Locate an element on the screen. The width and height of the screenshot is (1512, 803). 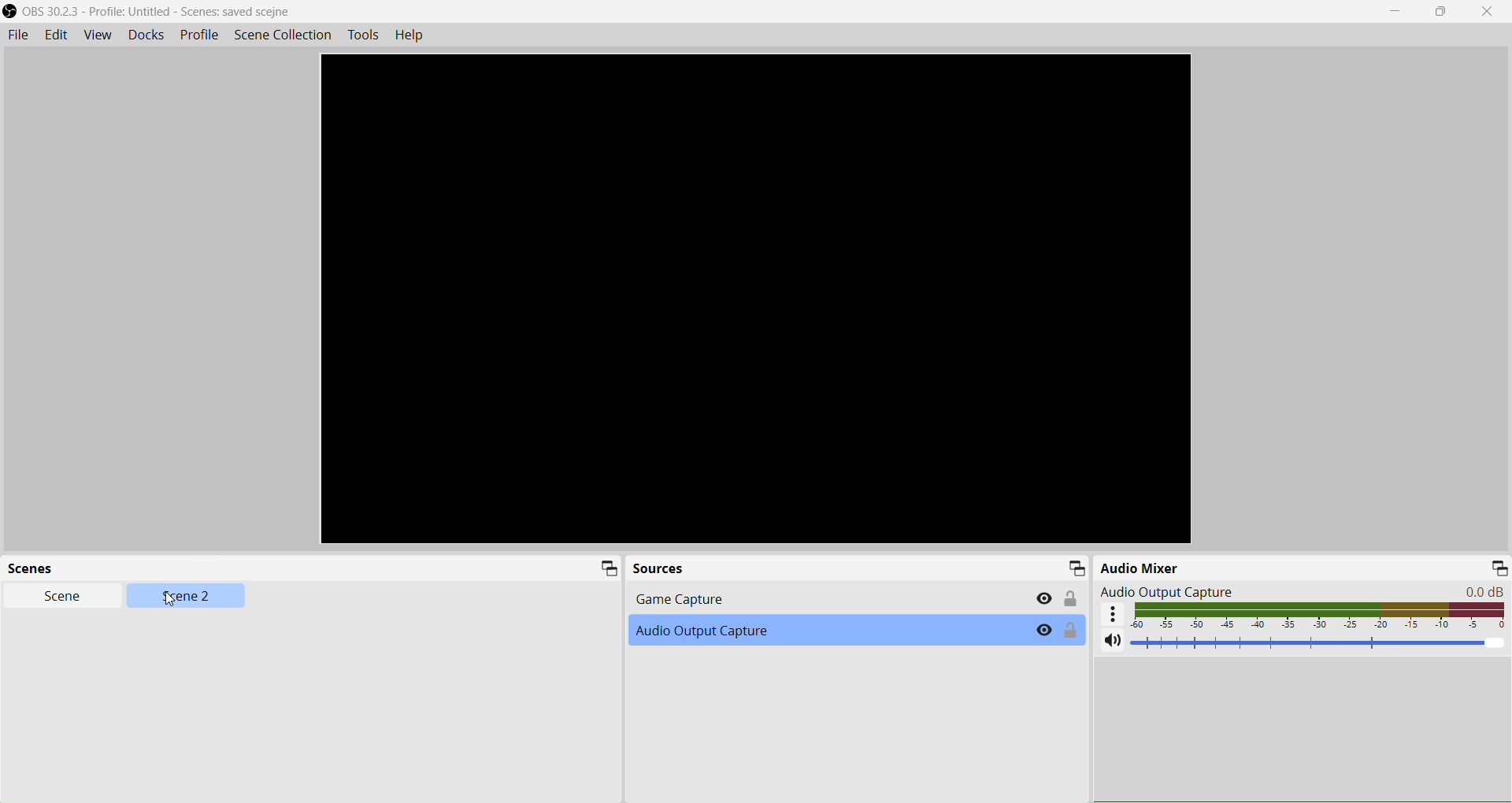
View is located at coordinates (97, 34).